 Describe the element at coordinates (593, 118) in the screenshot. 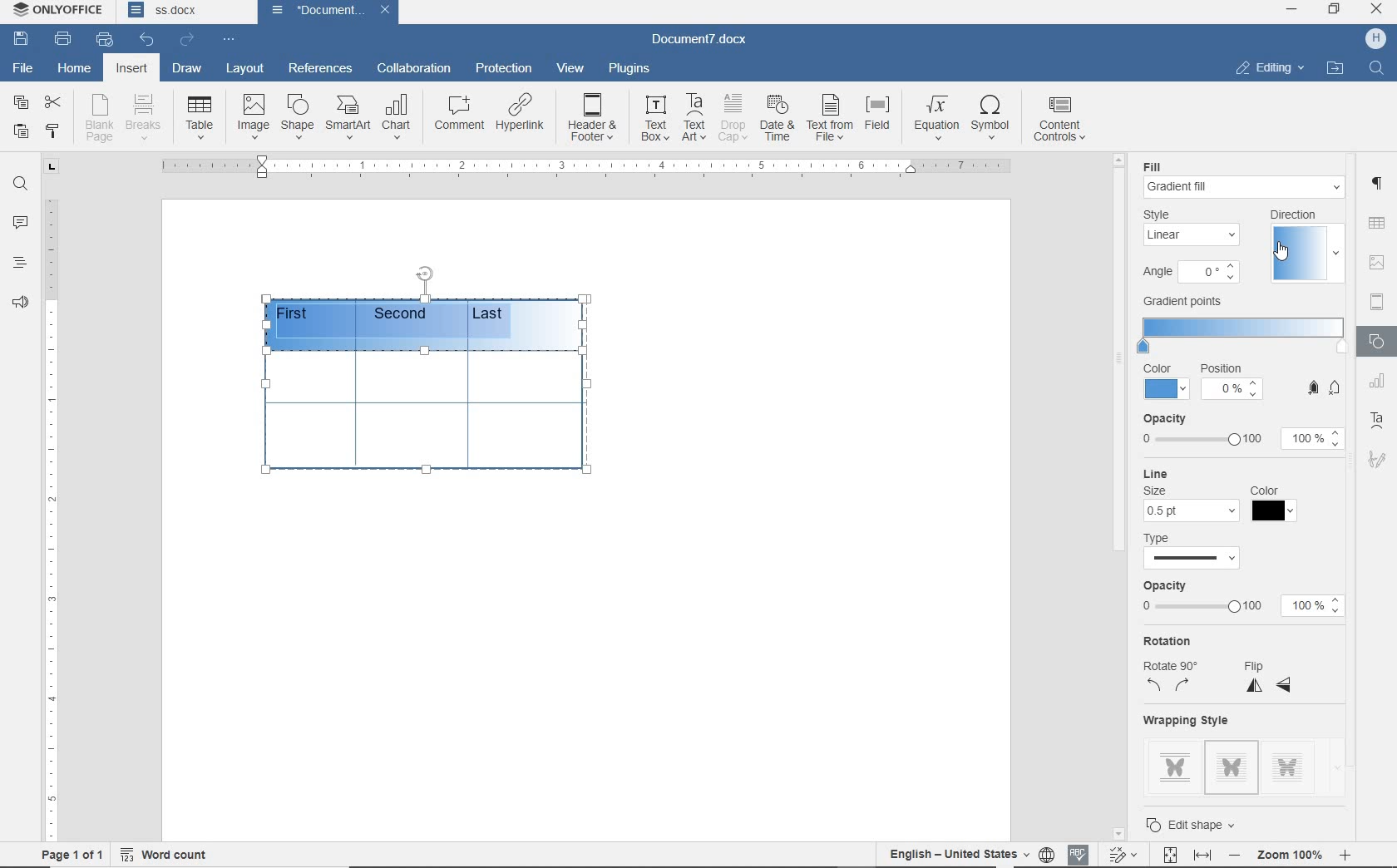

I see `header & footer` at that location.